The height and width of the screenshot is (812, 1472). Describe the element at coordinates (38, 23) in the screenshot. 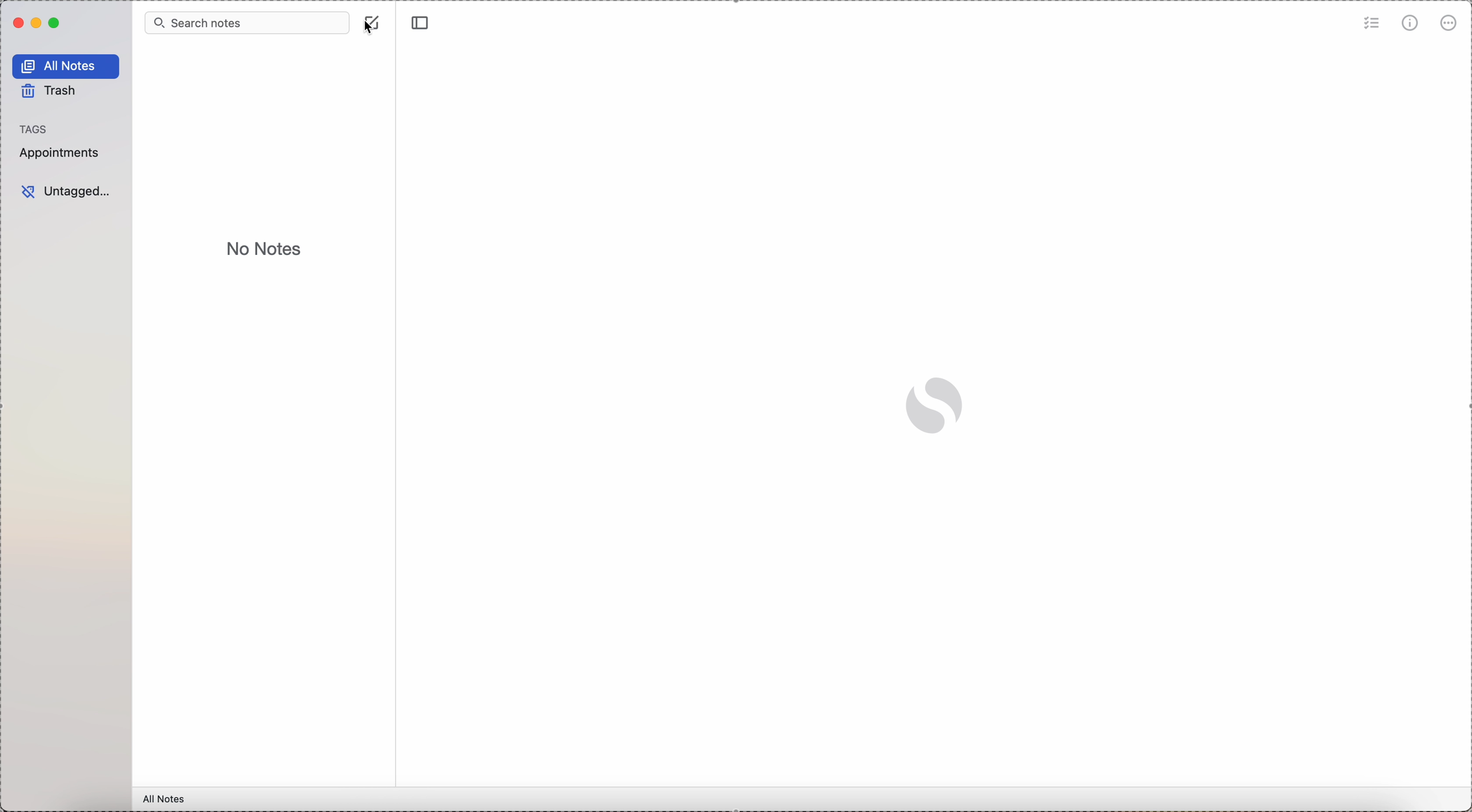

I see `minimize Simplenote` at that location.